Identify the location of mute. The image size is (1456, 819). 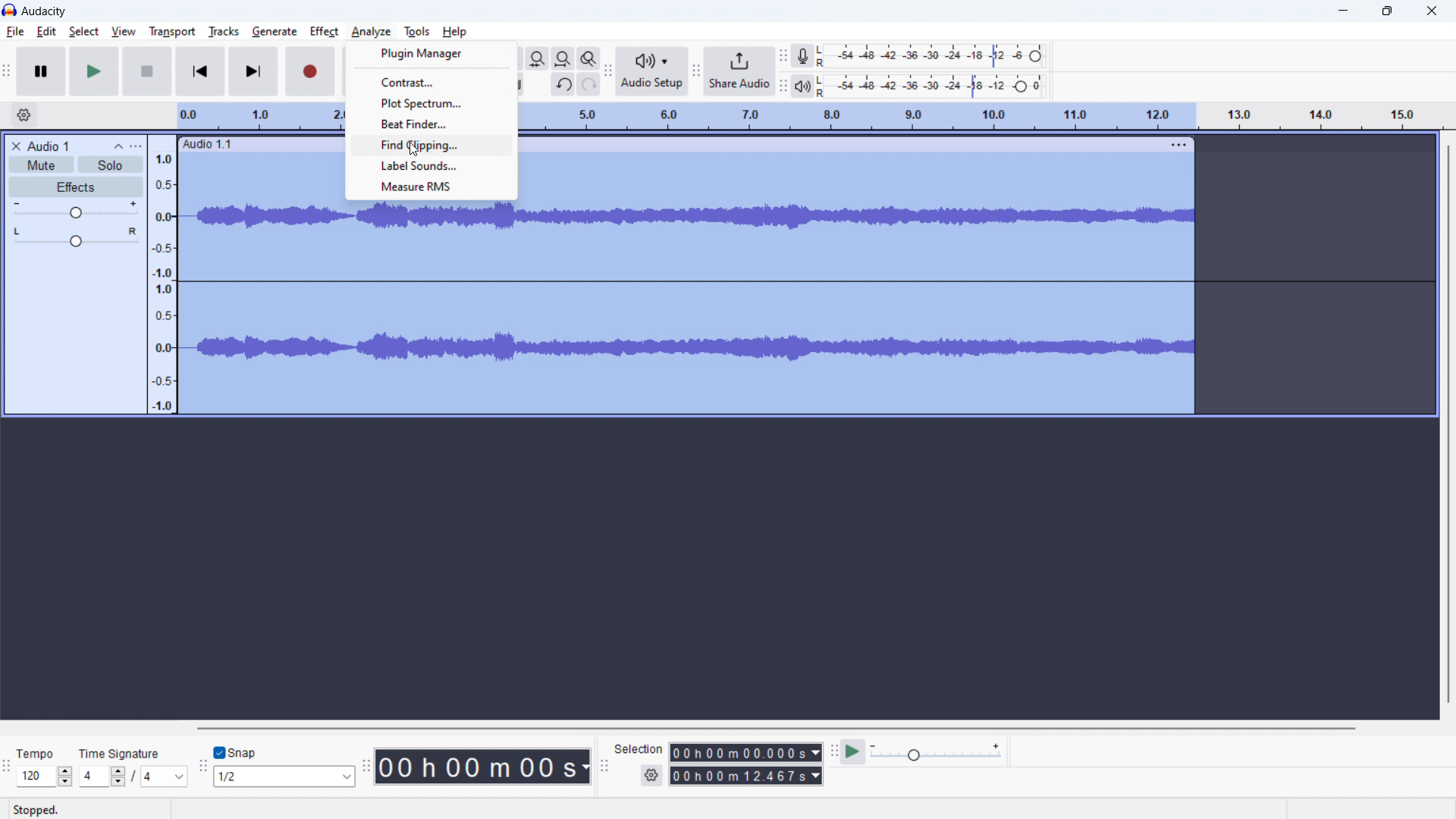
(42, 165).